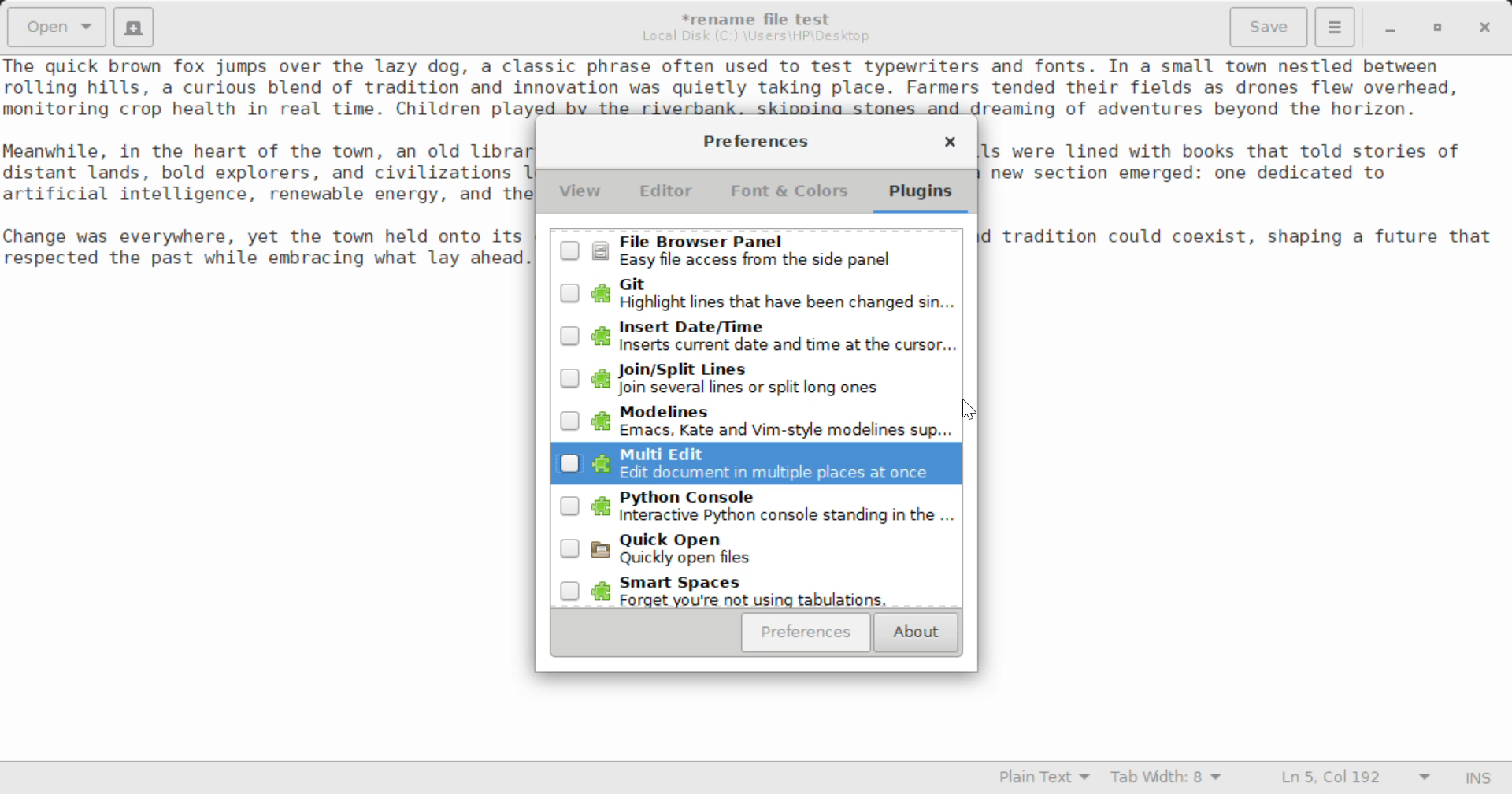 The image size is (1512, 794). What do you see at coordinates (756, 36) in the screenshot?
I see `File Location` at bounding box center [756, 36].